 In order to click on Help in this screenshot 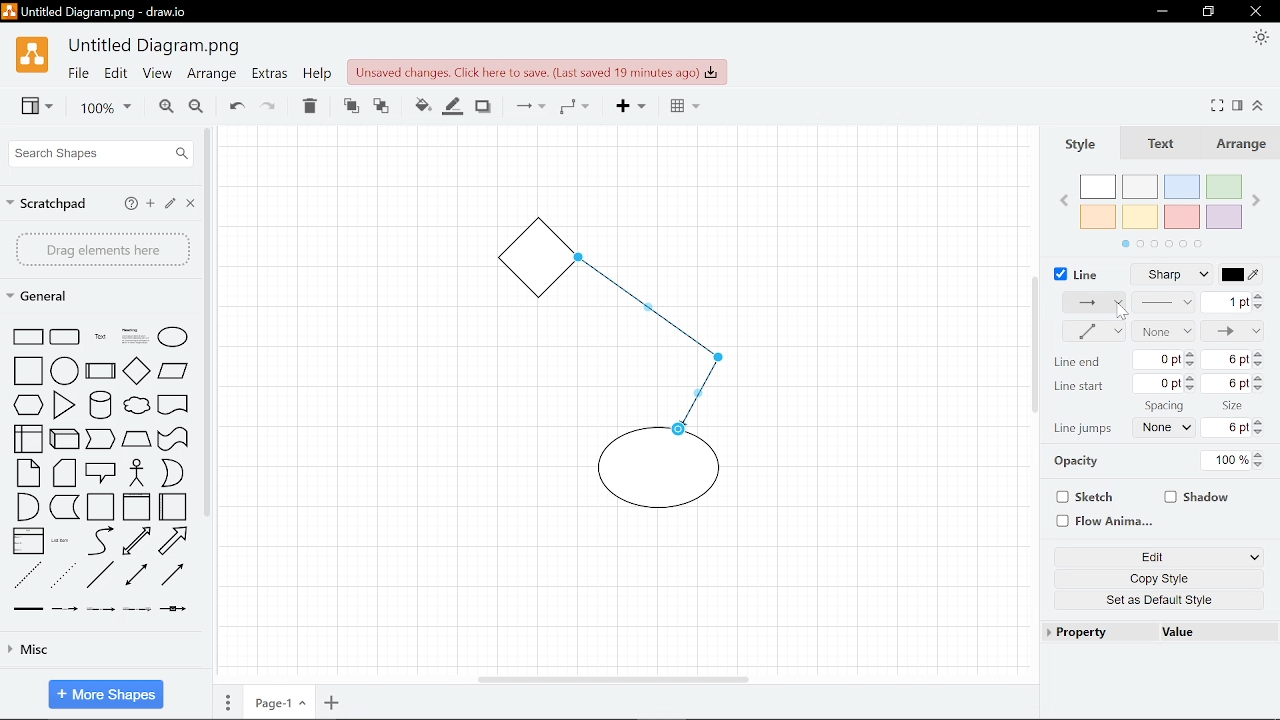, I will do `click(130, 203)`.